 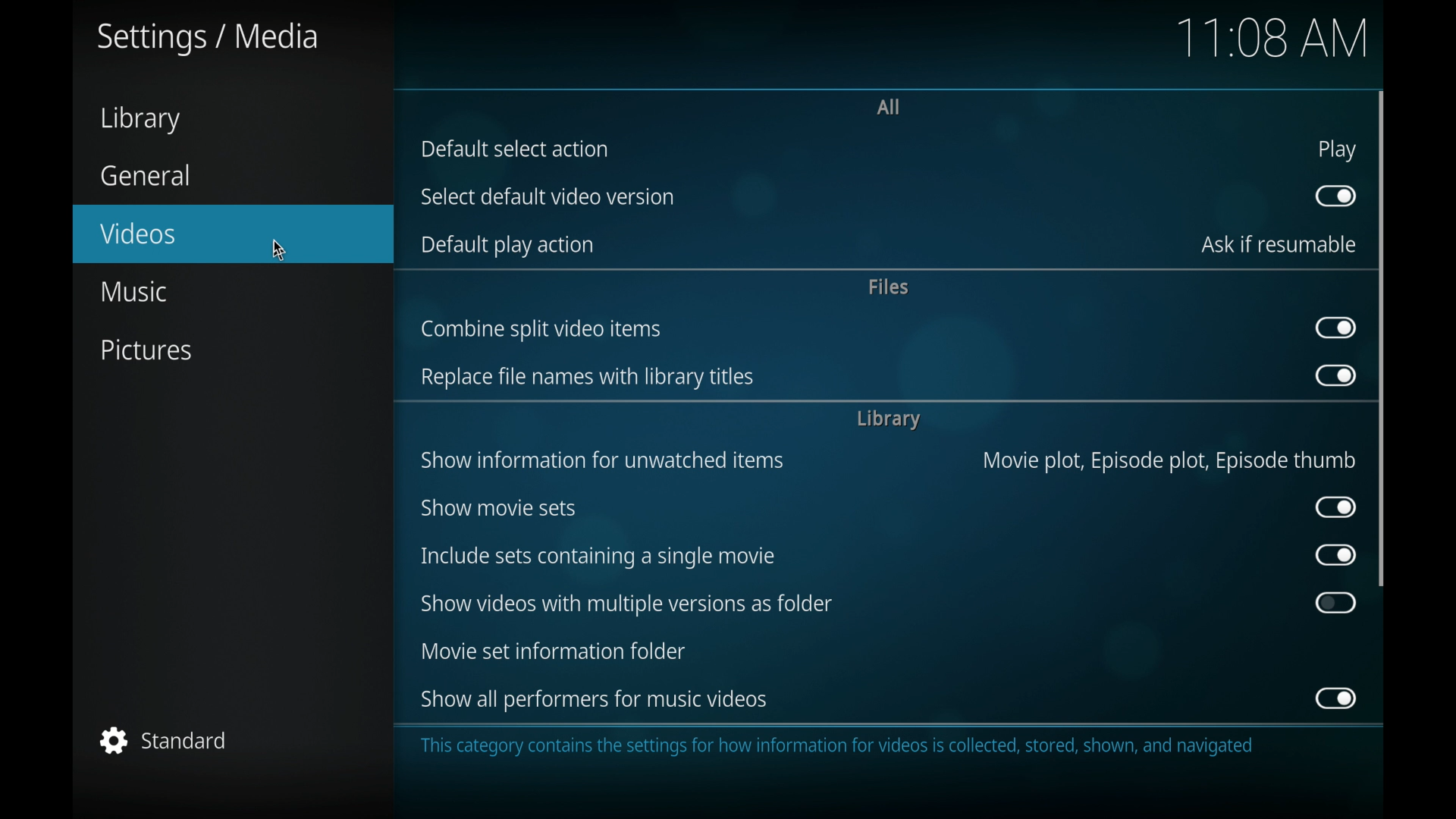 What do you see at coordinates (146, 175) in the screenshot?
I see `general` at bounding box center [146, 175].